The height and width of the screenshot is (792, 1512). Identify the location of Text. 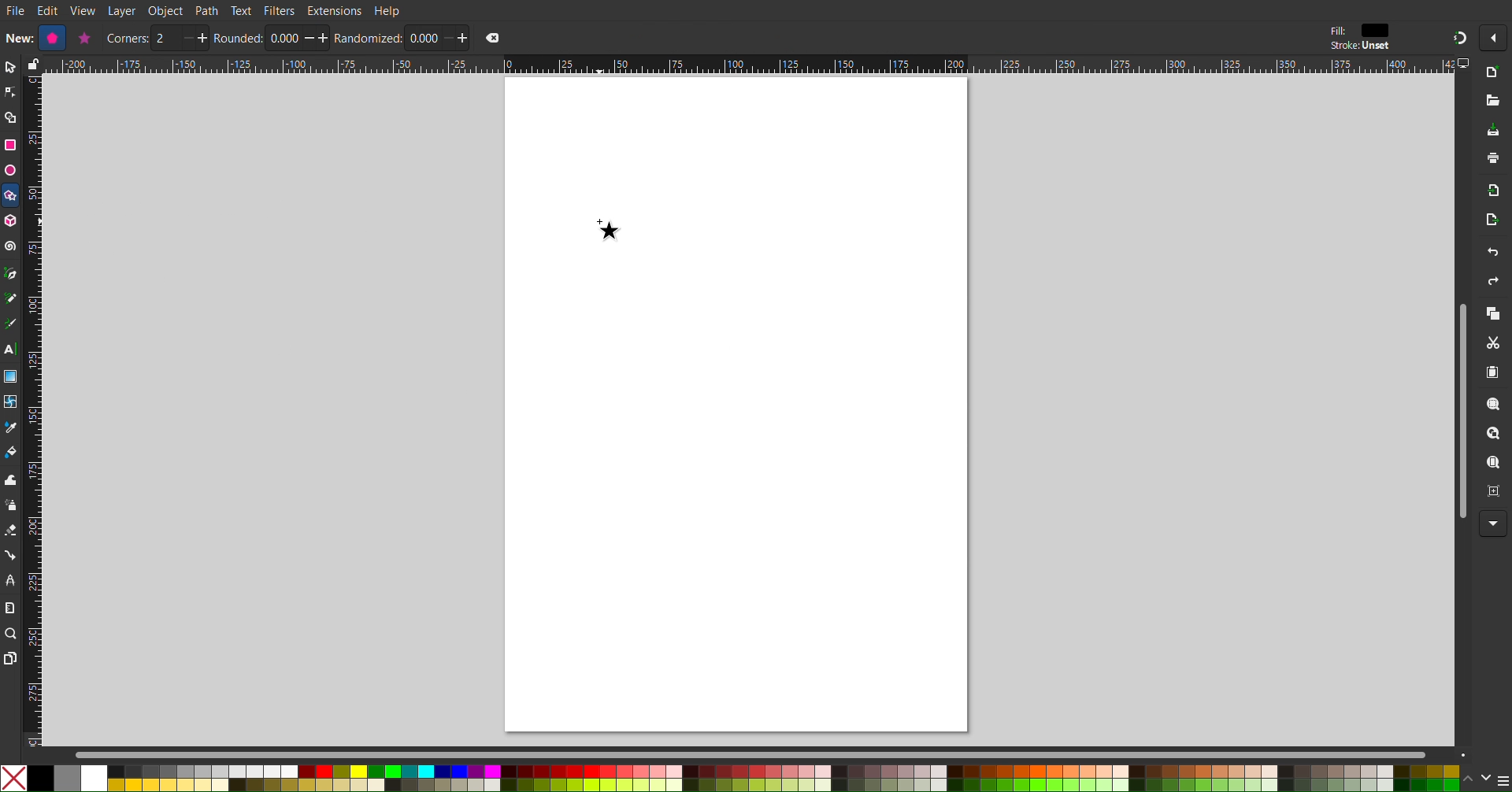
(240, 9).